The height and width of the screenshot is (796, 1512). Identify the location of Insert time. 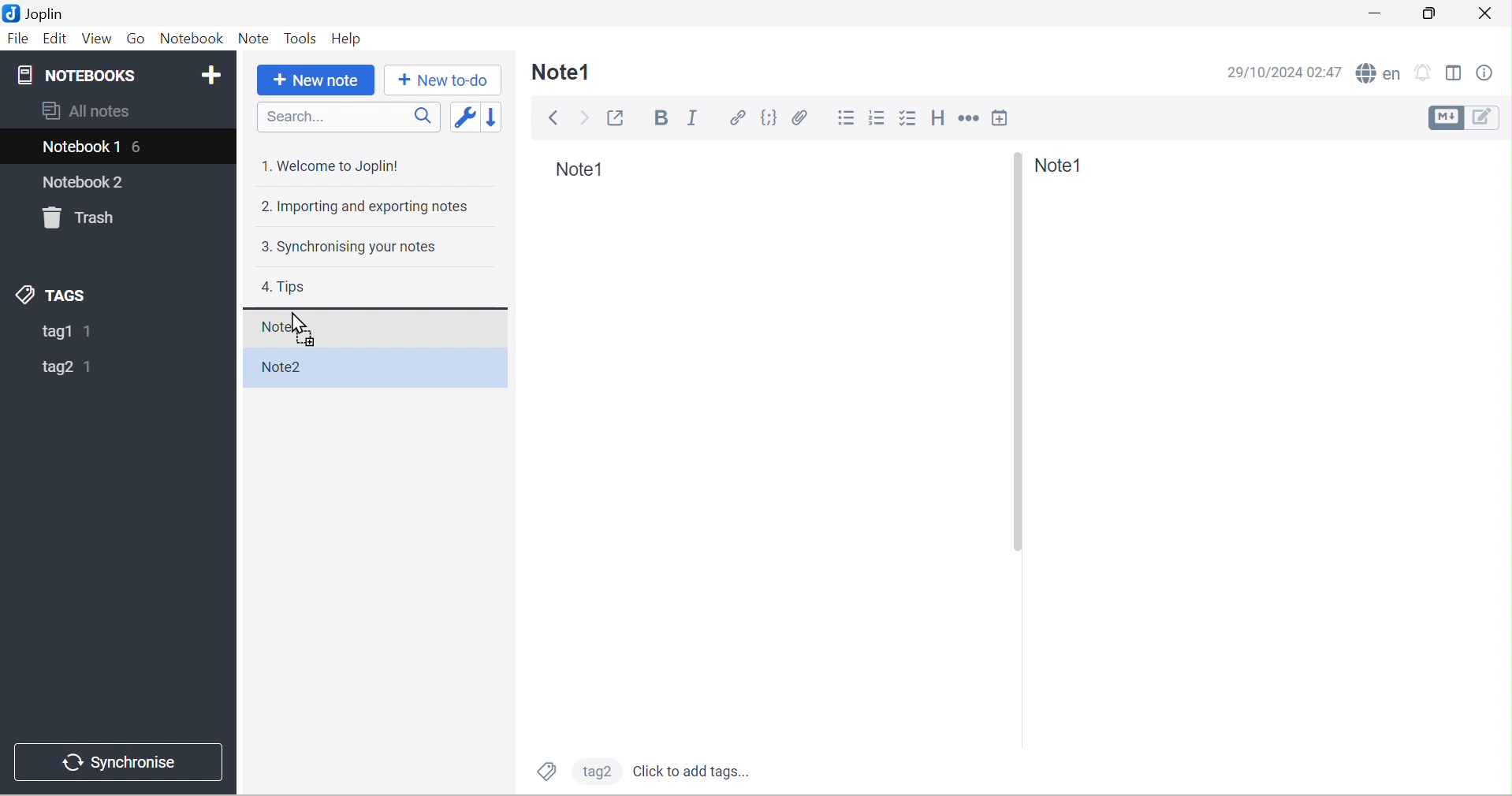
(1002, 117).